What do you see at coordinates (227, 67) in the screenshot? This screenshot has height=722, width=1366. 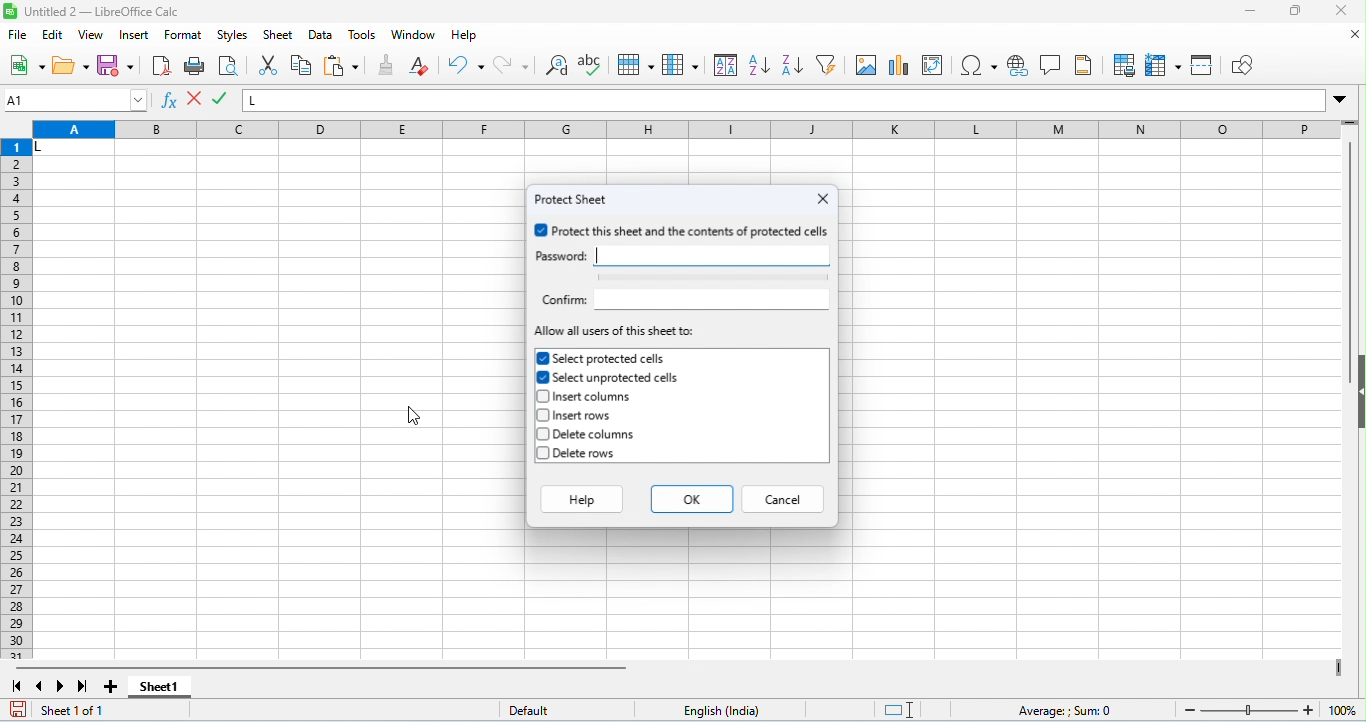 I see `print preview` at bounding box center [227, 67].